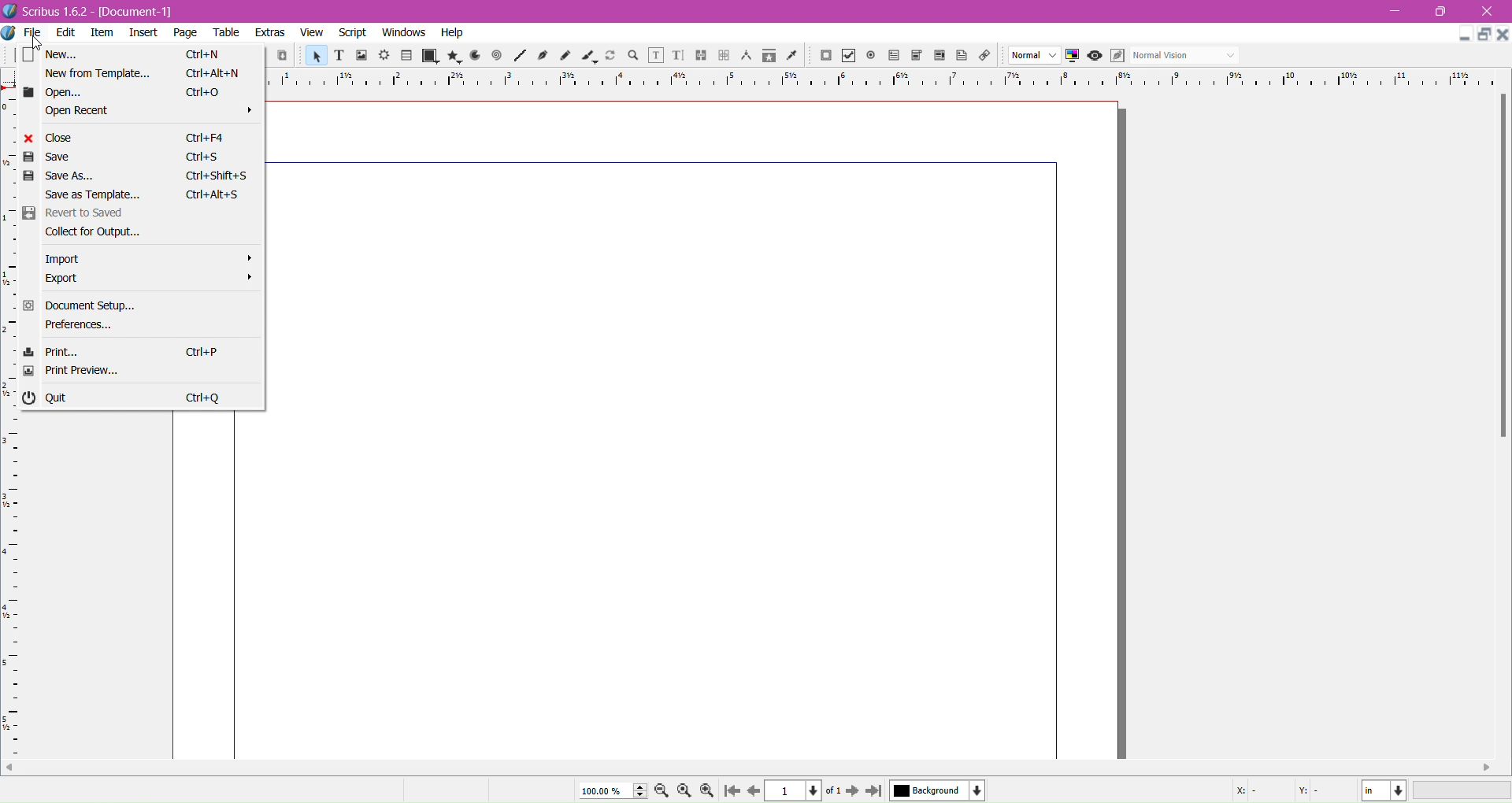  What do you see at coordinates (18, 57) in the screenshot?
I see `New` at bounding box center [18, 57].